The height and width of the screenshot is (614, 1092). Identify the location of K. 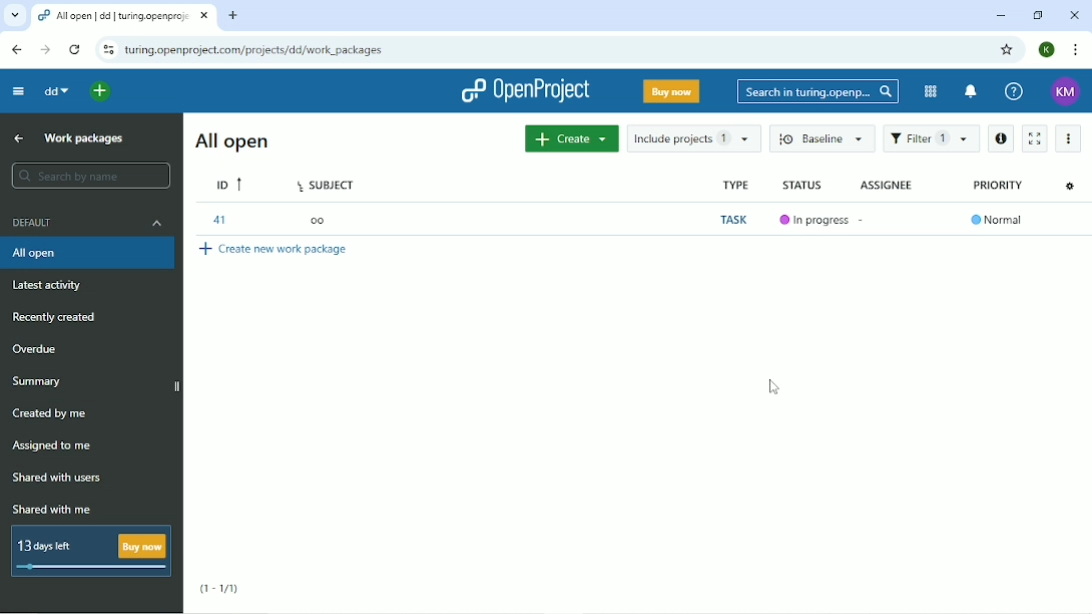
(1046, 50).